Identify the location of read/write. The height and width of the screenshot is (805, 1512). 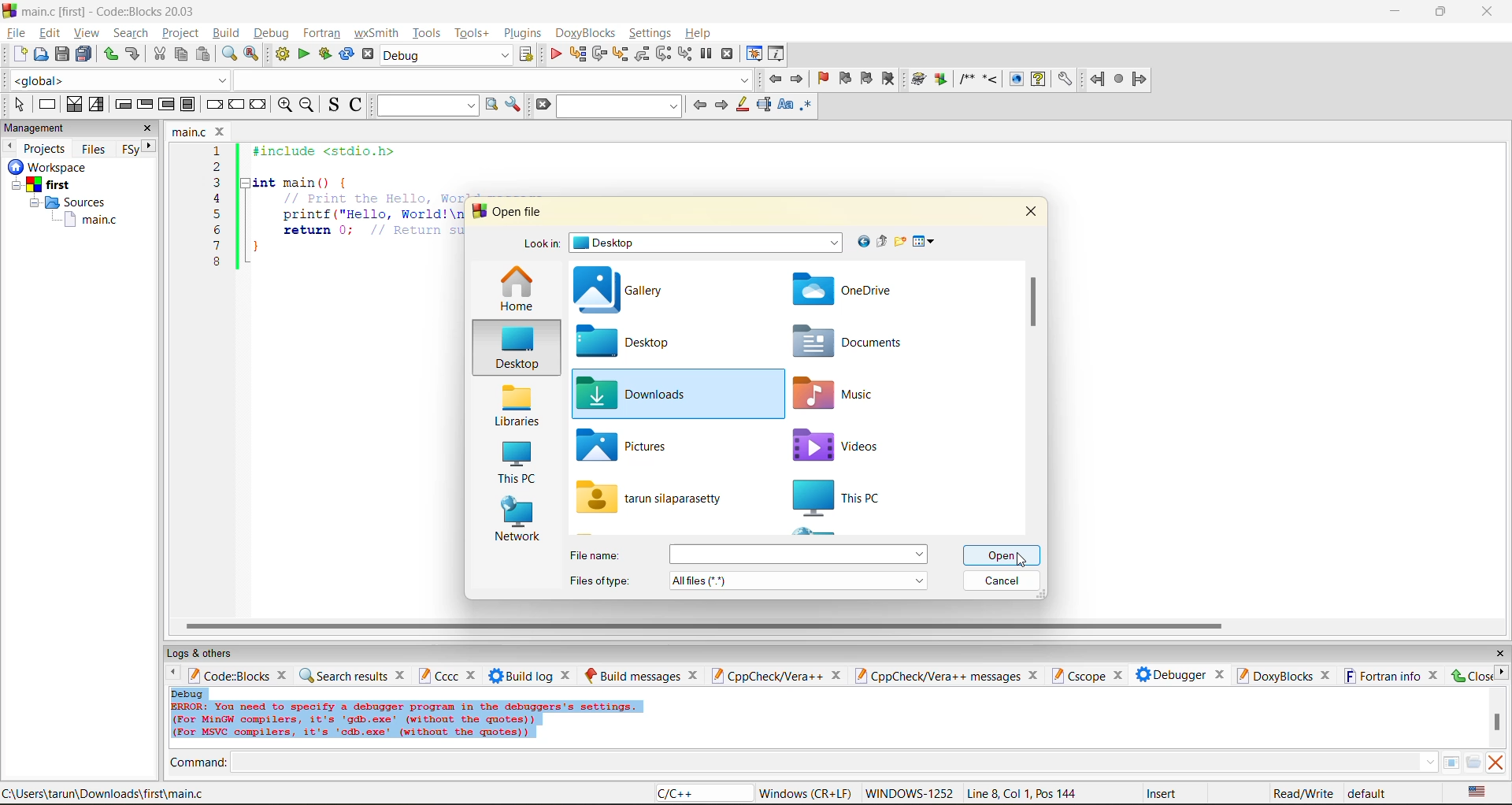
(1303, 793).